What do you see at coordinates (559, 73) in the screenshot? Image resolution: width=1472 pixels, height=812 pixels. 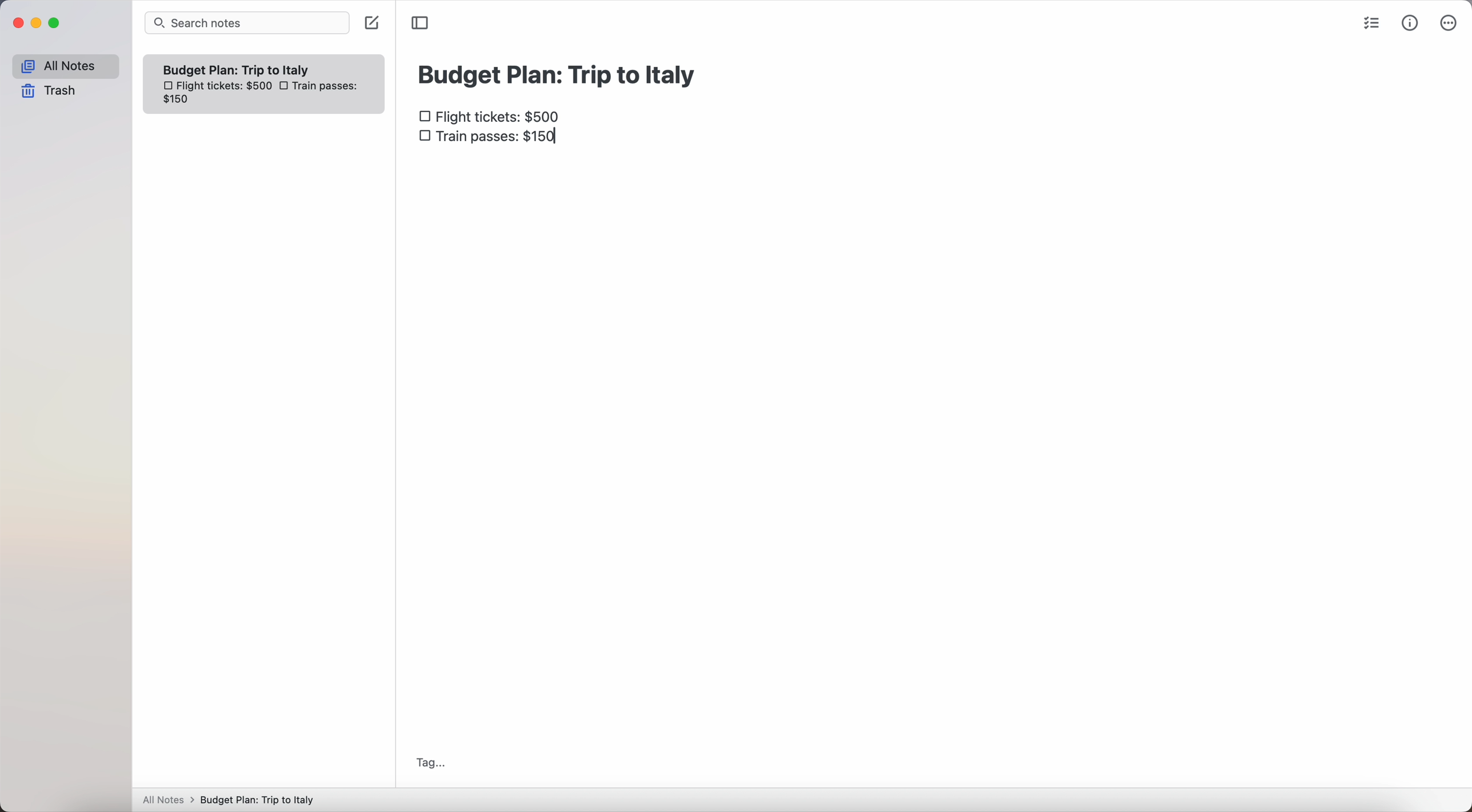 I see `budget plan: trip to Italy` at bounding box center [559, 73].